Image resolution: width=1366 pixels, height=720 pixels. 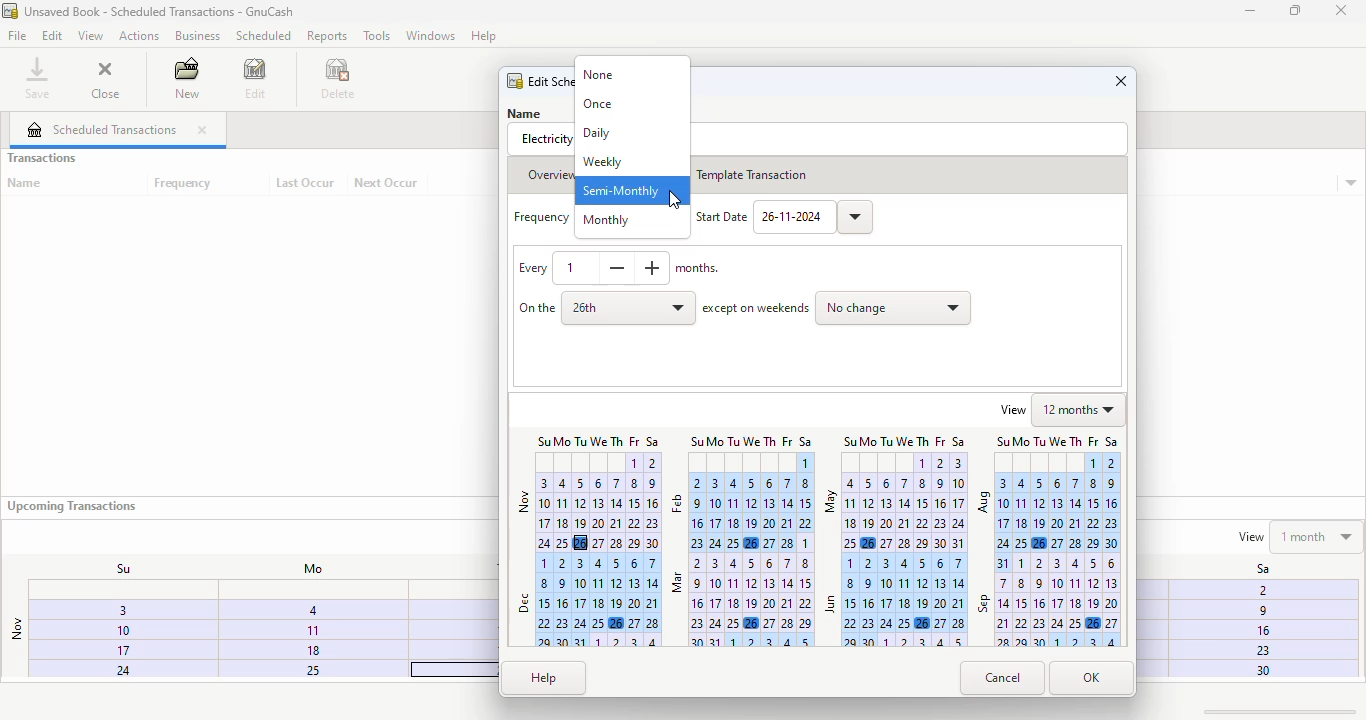 What do you see at coordinates (1259, 589) in the screenshot?
I see `Fi` at bounding box center [1259, 589].